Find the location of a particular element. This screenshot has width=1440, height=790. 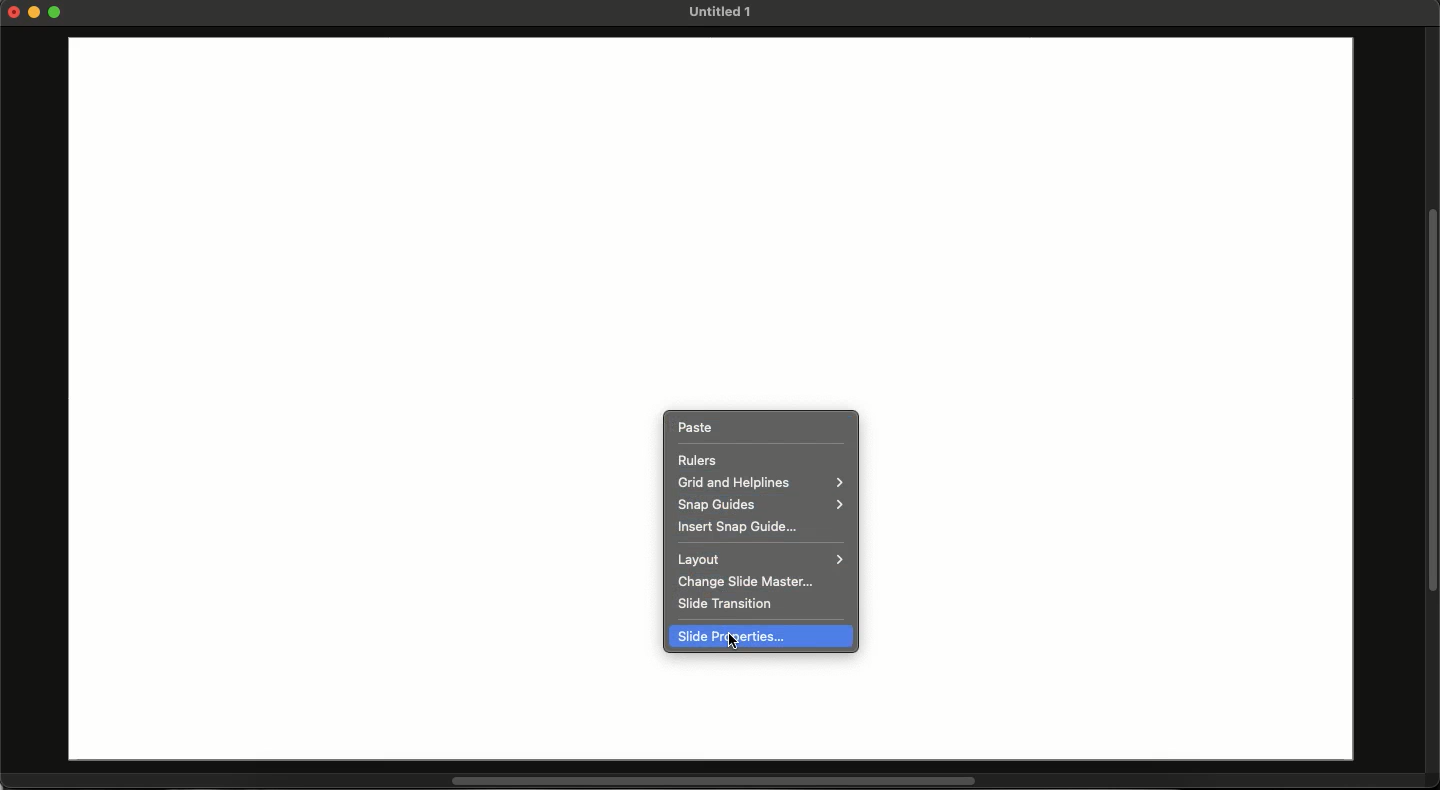

Insert snap guide... is located at coordinates (736, 526).